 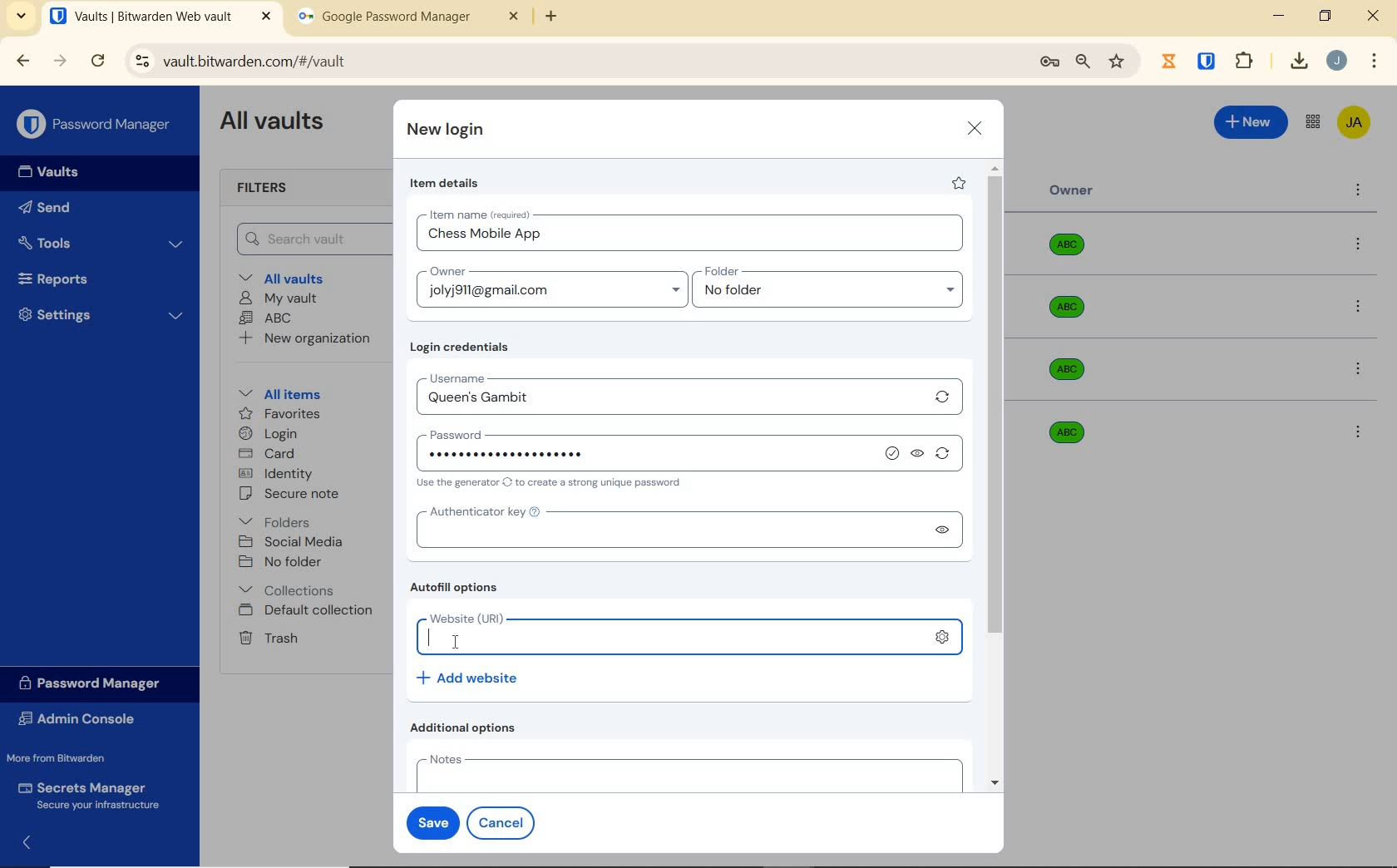 I want to click on dditional options, so click(x=467, y=727).